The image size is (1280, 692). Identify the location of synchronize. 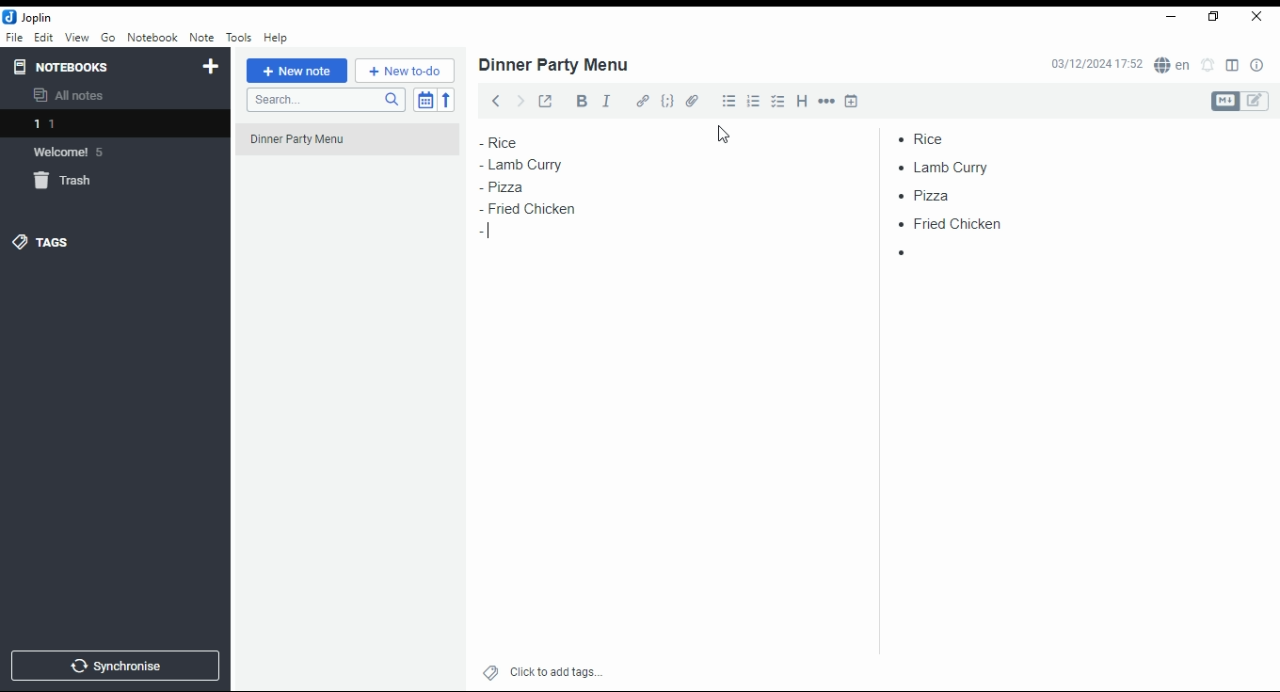
(114, 666).